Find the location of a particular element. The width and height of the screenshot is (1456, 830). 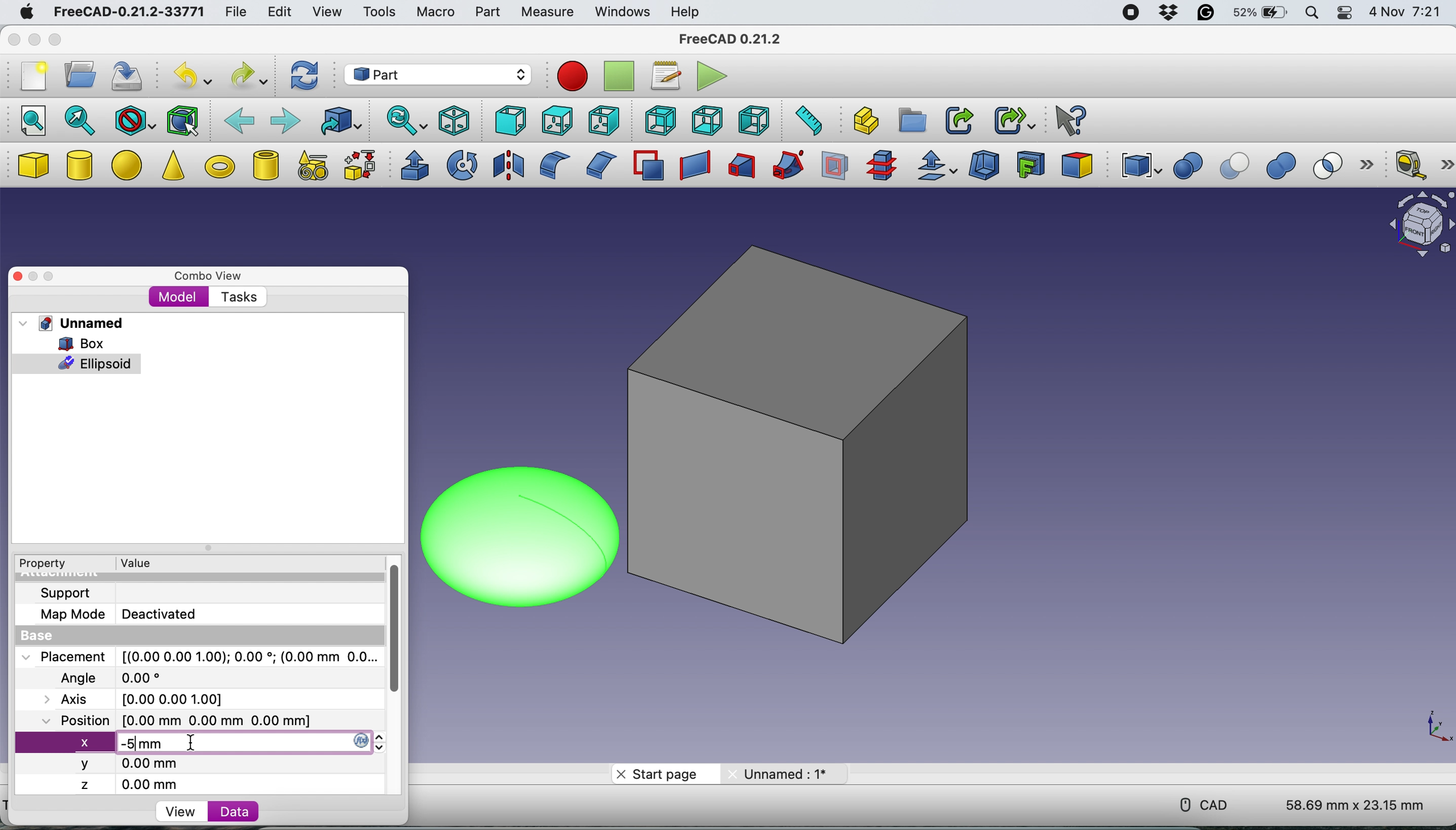

undo is located at coordinates (189, 76).